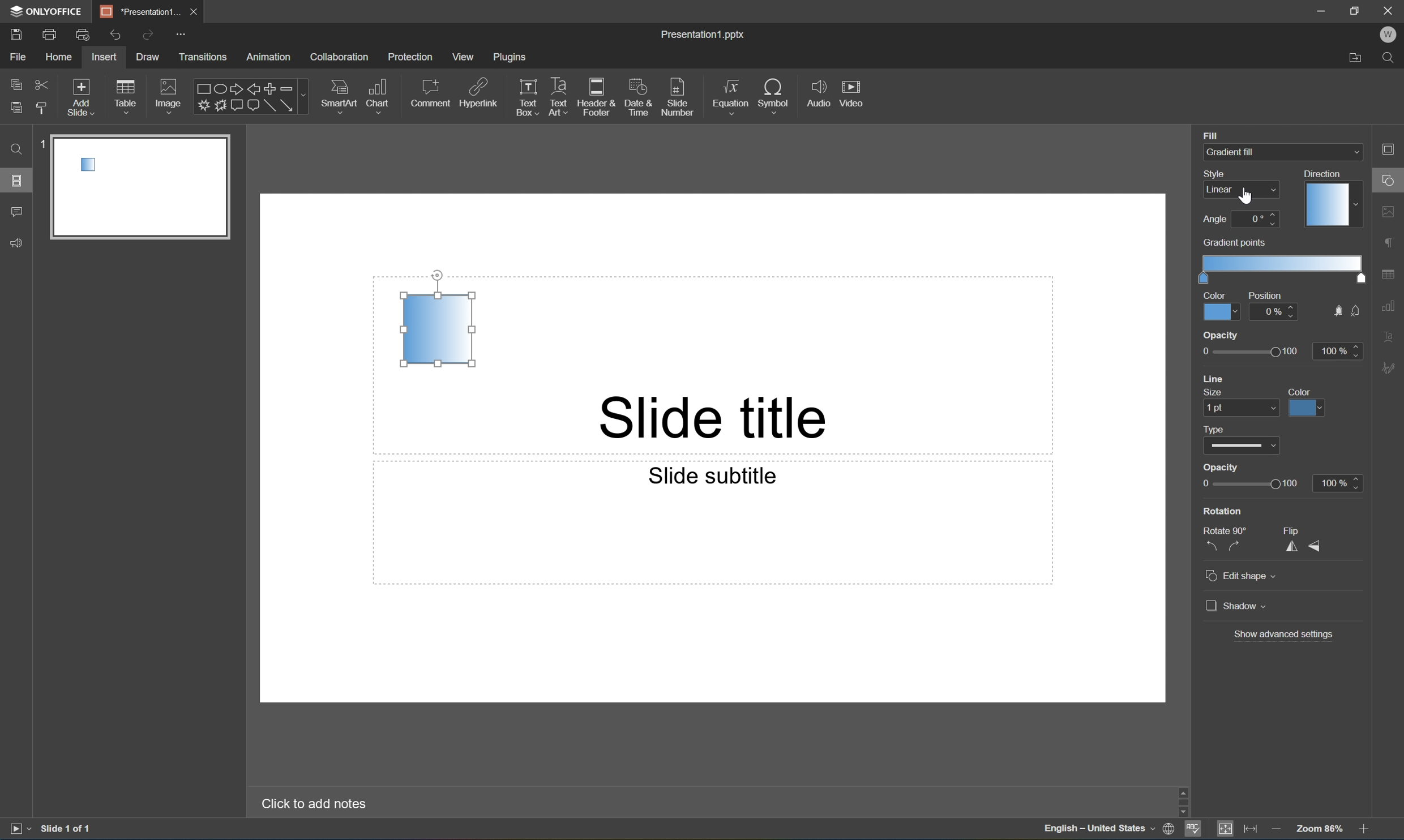 The width and height of the screenshot is (1404, 840). I want to click on , so click(1336, 310).